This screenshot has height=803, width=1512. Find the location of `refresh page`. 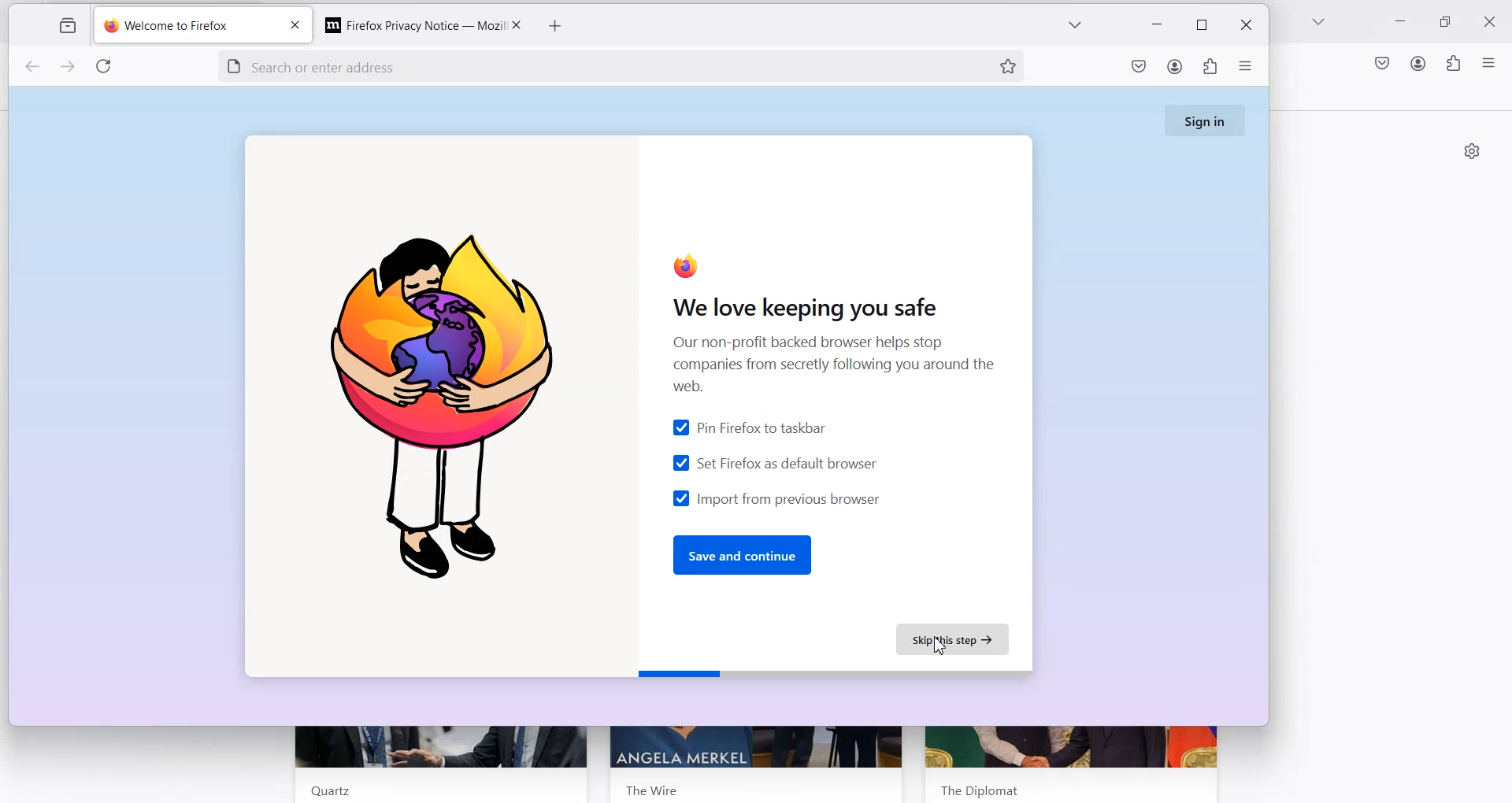

refresh page is located at coordinates (107, 68).